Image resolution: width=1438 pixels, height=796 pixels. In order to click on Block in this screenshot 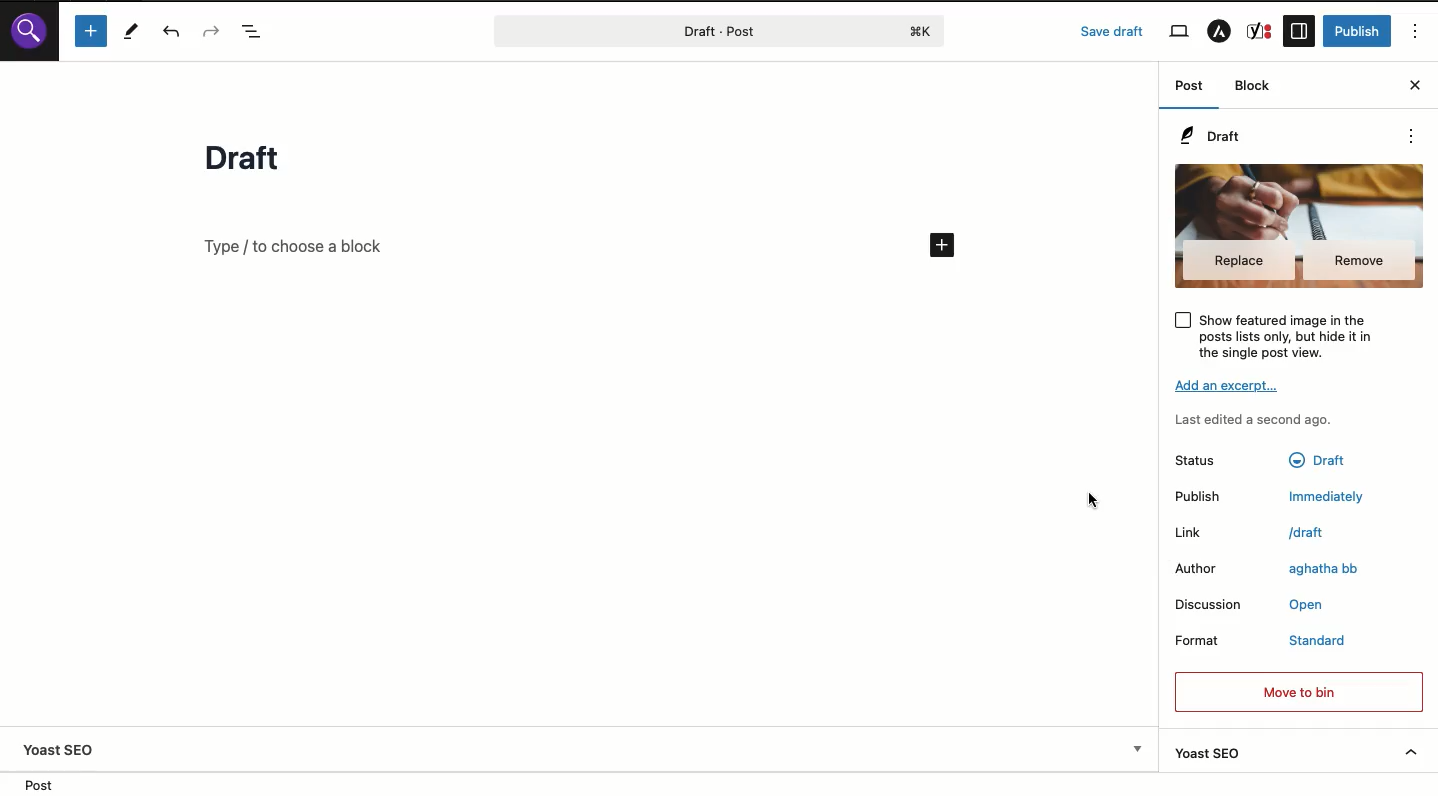, I will do `click(1259, 87)`.